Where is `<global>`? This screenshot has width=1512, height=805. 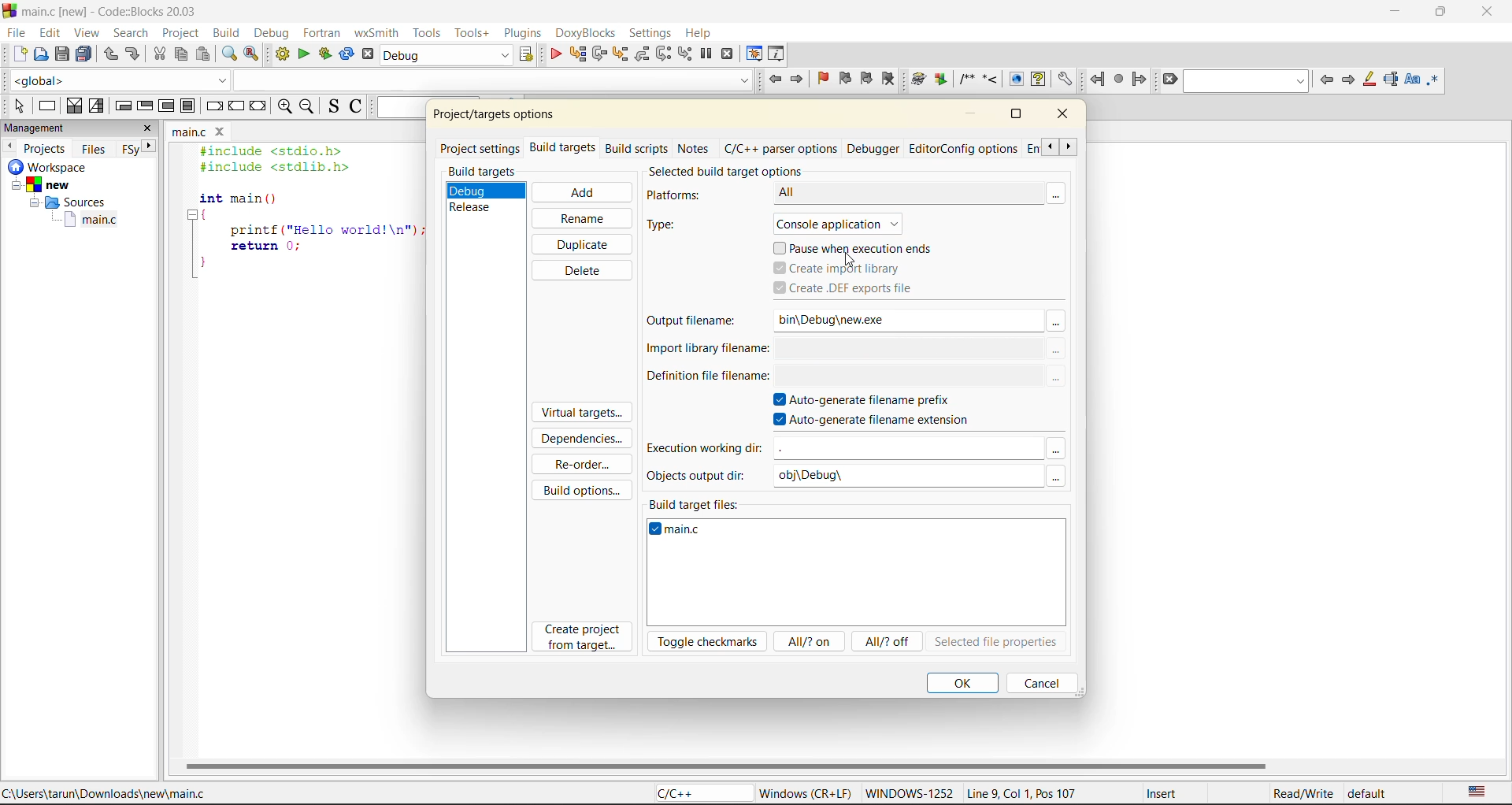
<global> is located at coordinates (120, 79).